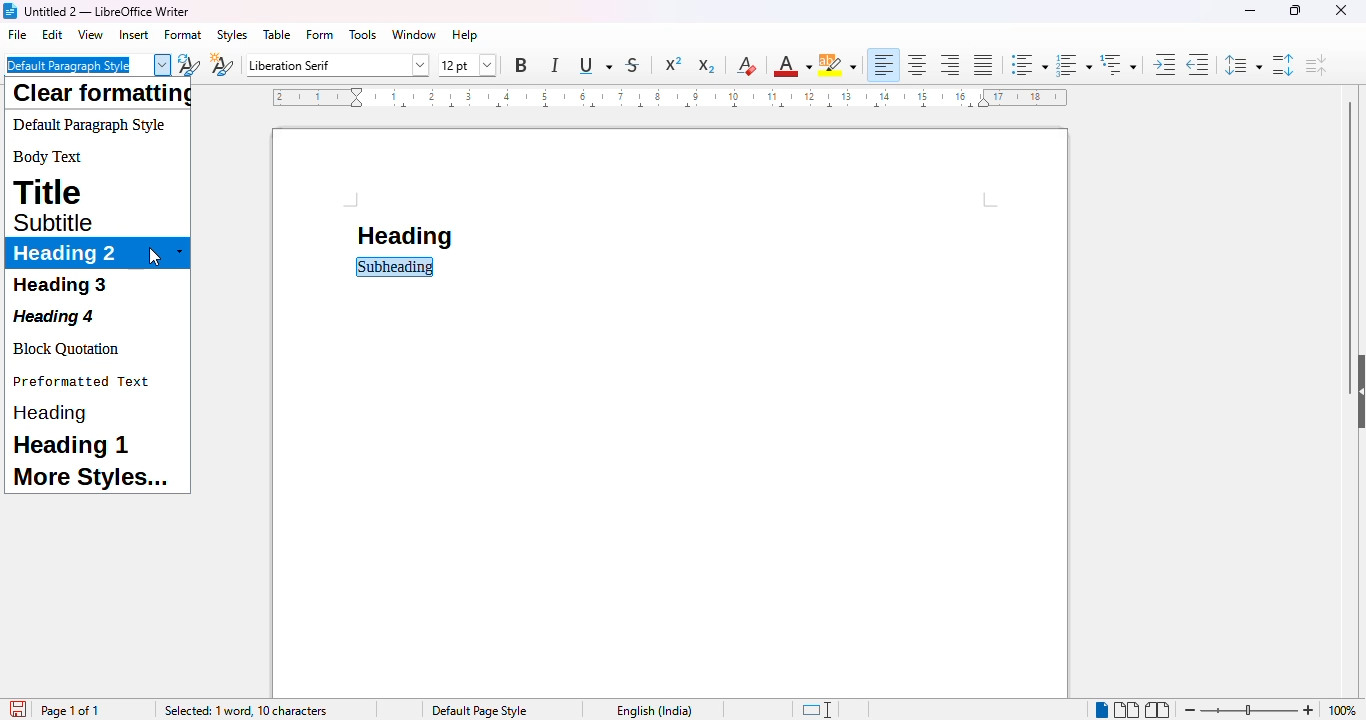 Image resolution: width=1366 pixels, height=720 pixels. I want to click on strikethrough, so click(633, 66).